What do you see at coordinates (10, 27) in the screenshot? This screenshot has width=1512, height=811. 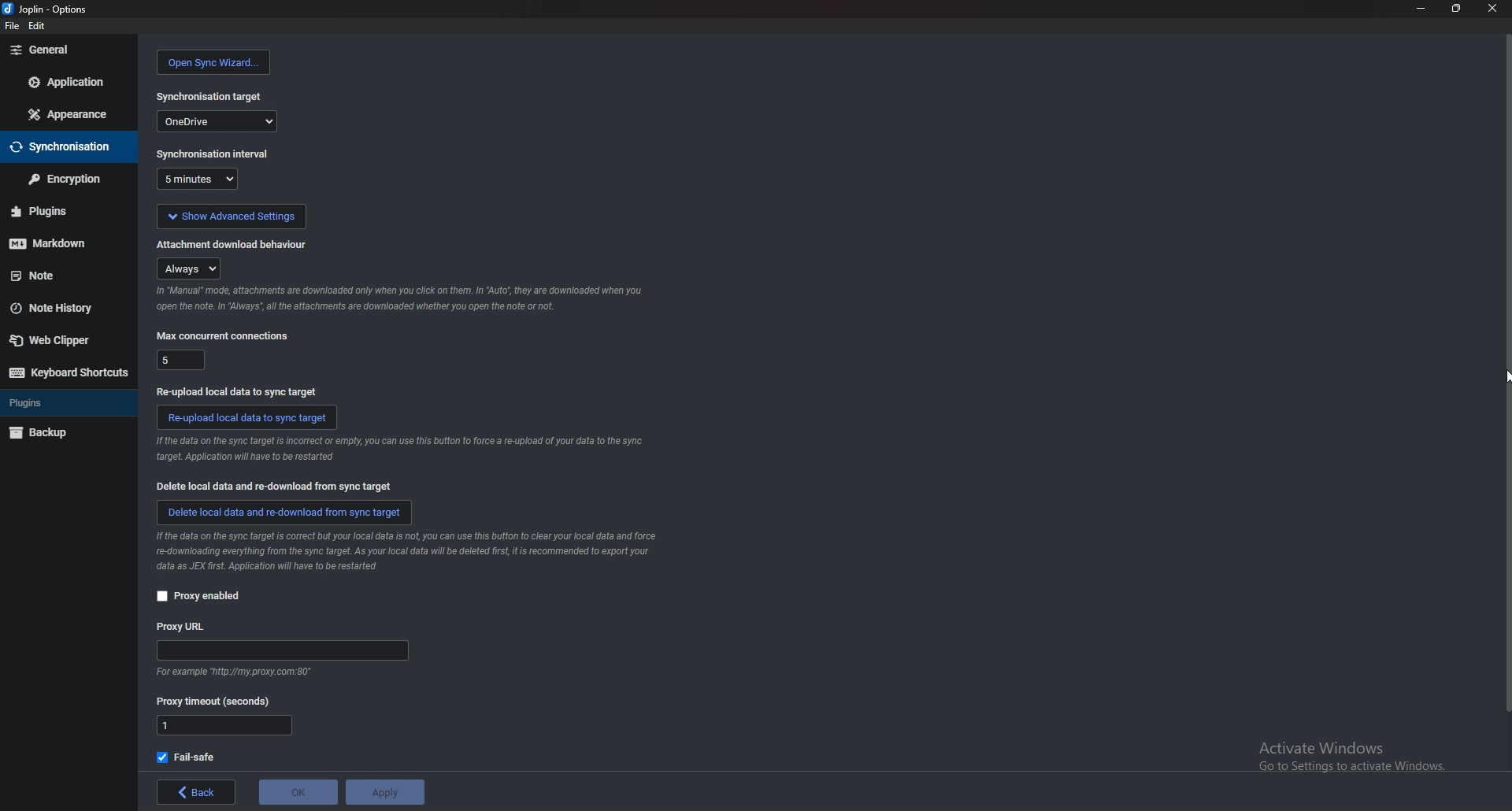 I see `file` at bounding box center [10, 27].